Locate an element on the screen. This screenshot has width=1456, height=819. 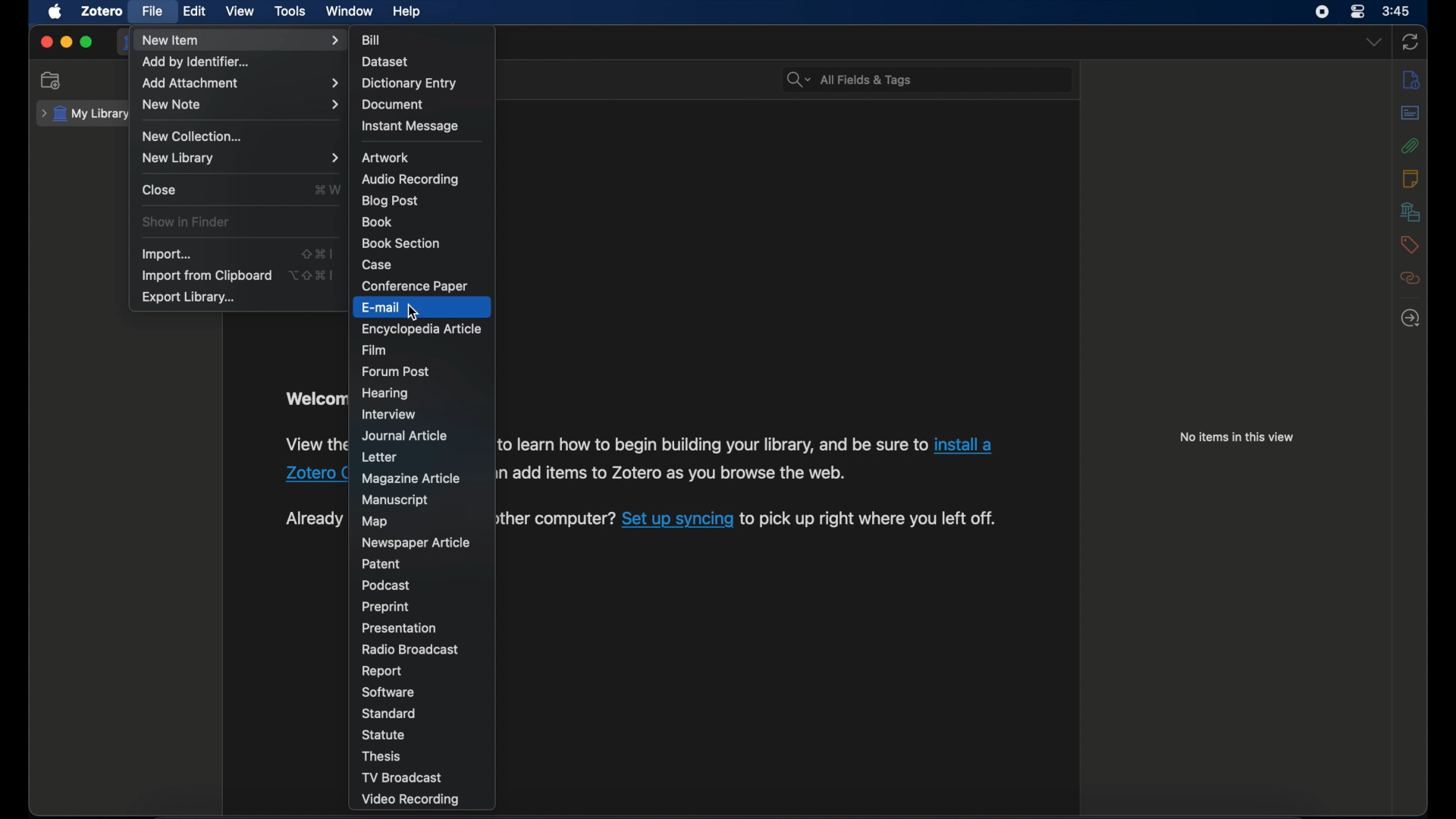
view is located at coordinates (240, 11).